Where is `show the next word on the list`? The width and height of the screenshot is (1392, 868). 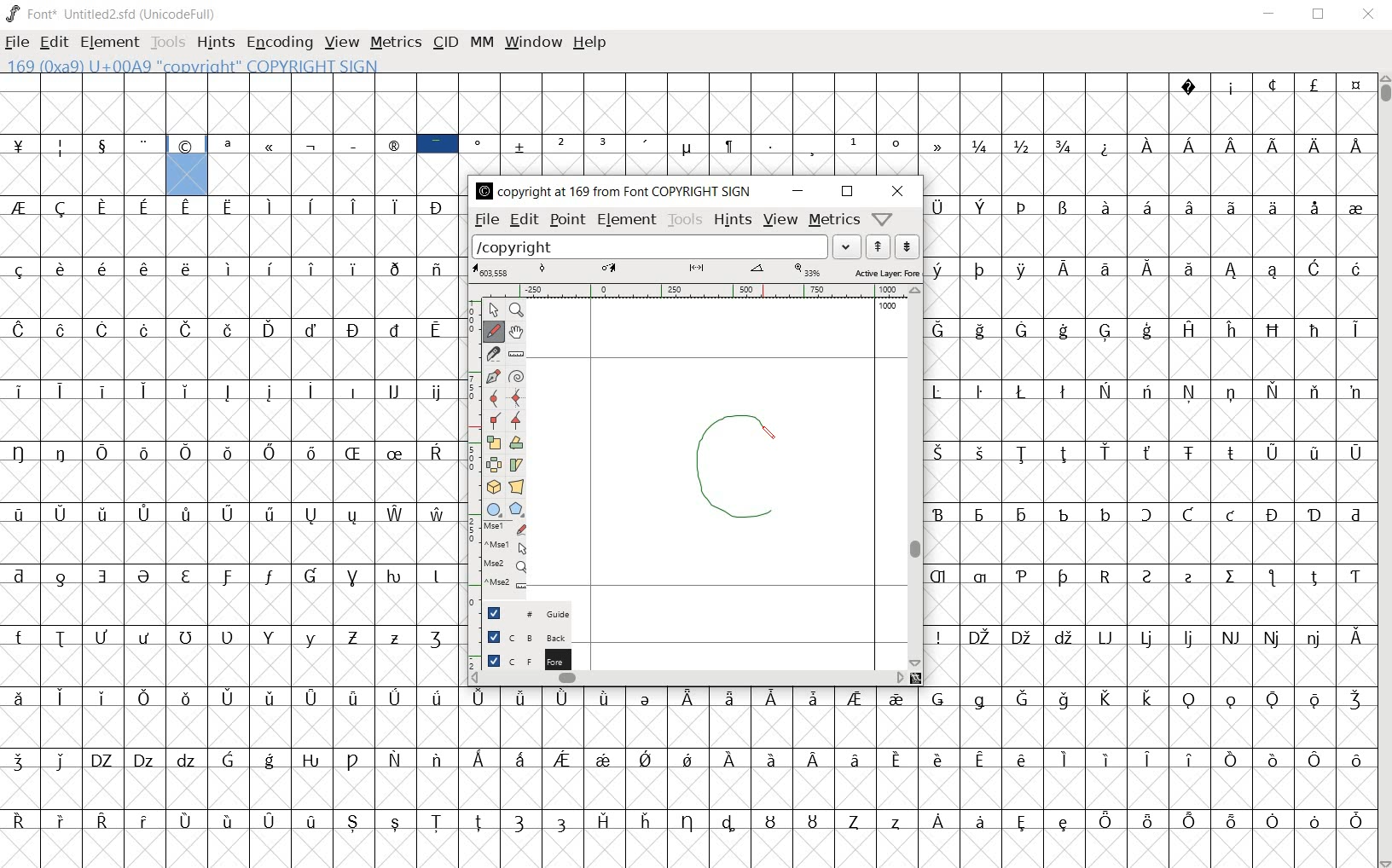
show the next word on the list is located at coordinates (877, 246).